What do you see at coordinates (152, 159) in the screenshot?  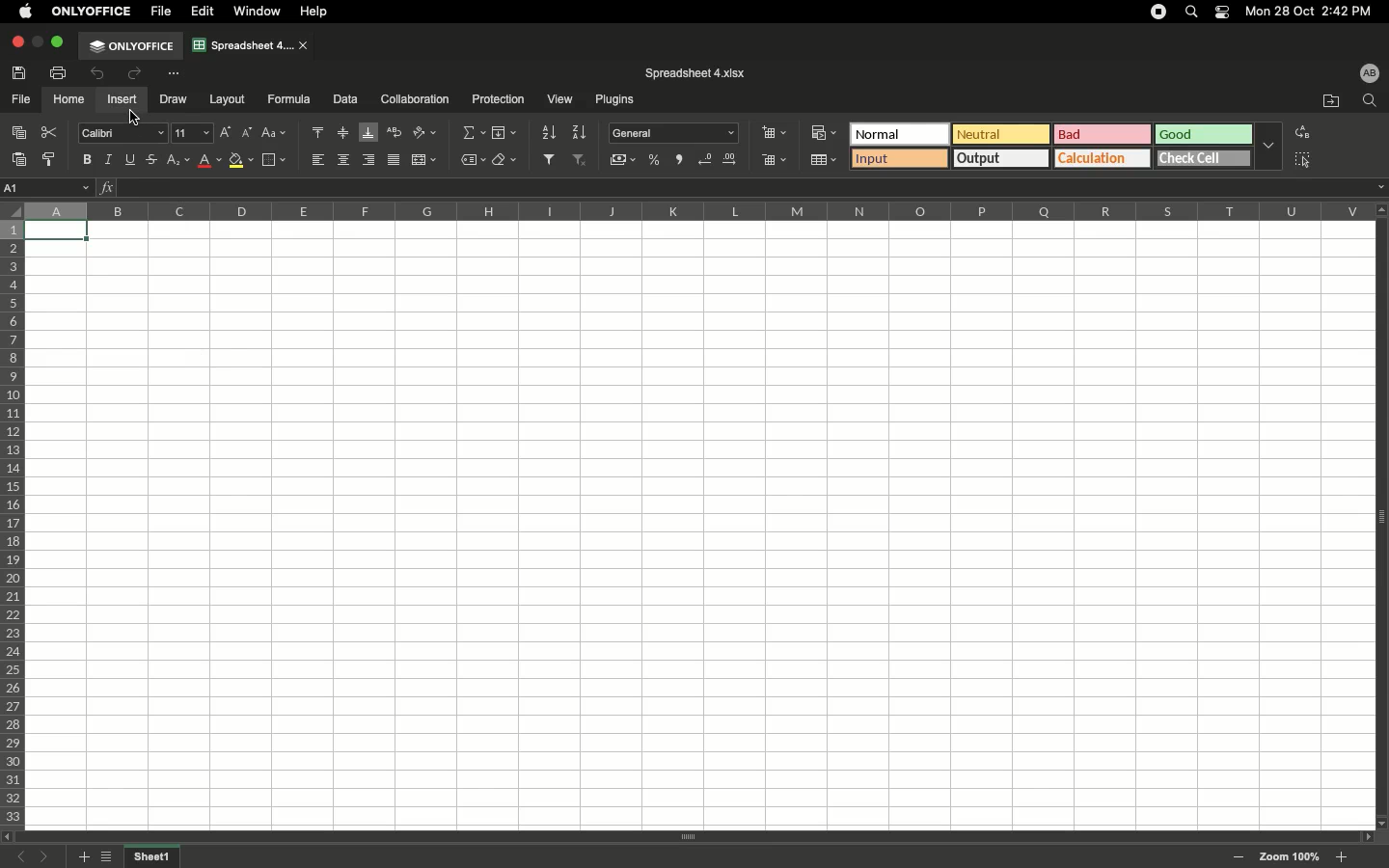 I see `Strikethrough` at bounding box center [152, 159].